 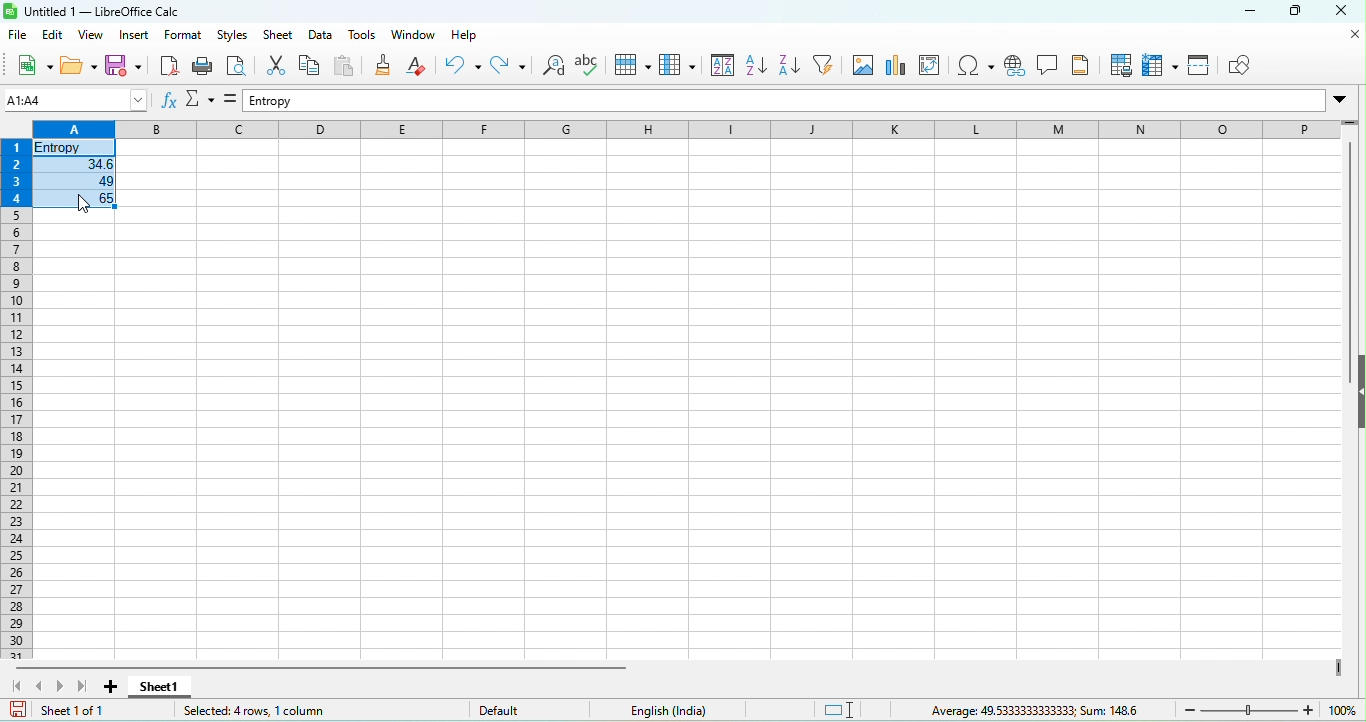 I want to click on scroll to first sheet, so click(x=15, y=683).